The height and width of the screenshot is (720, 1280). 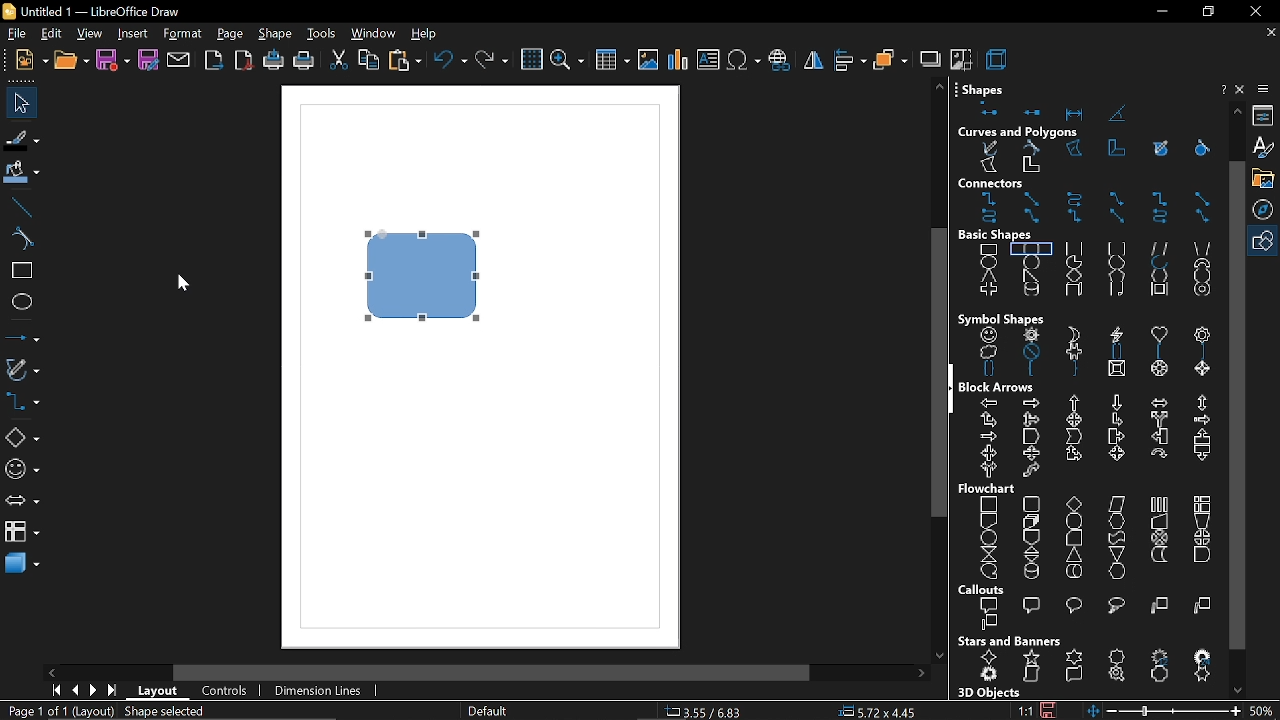 What do you see at coordinates (1007, 235) in the screenshot?
I see `basic shapes` at bounding box center [1007, 235].